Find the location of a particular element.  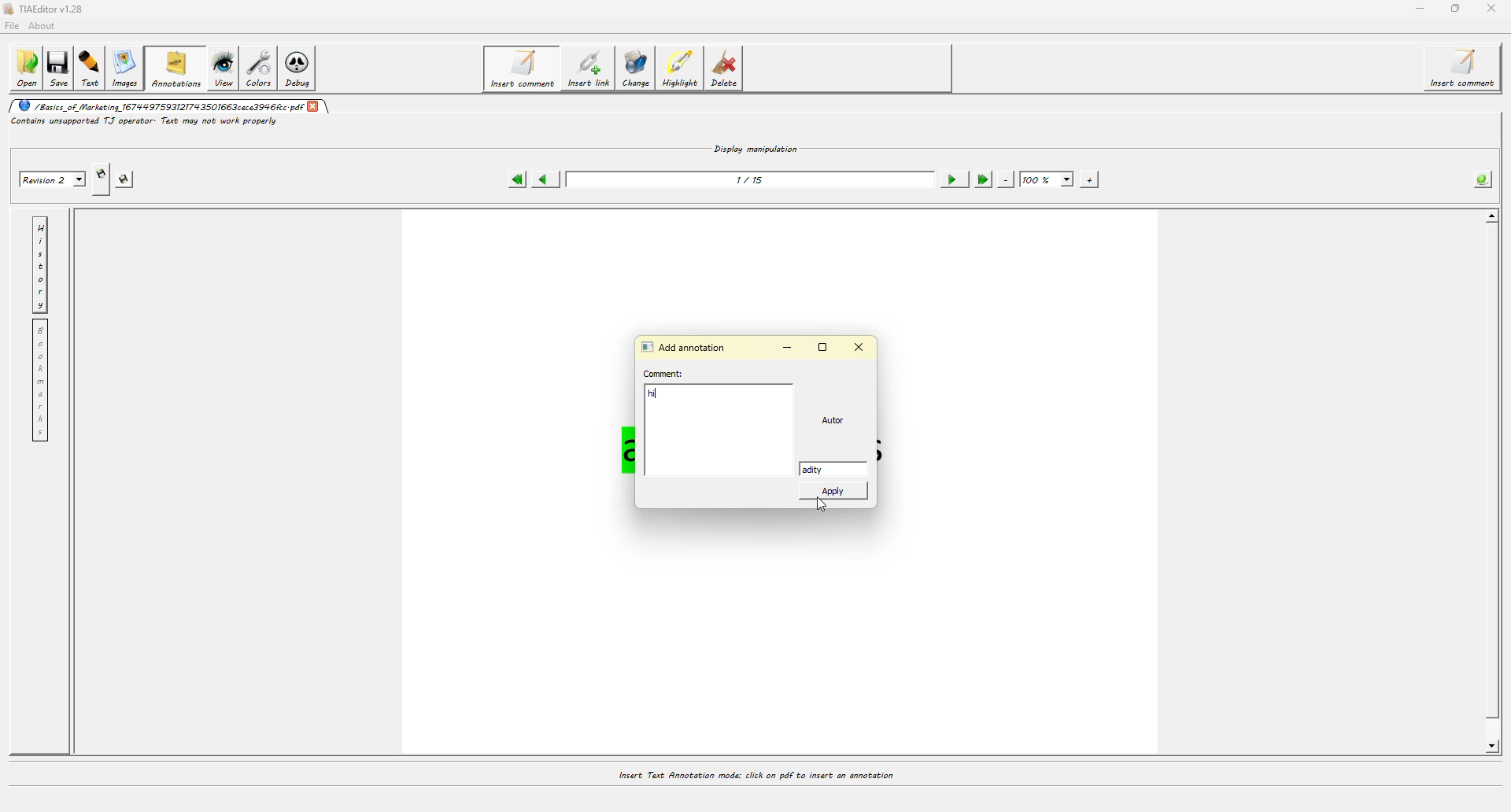

close is located at coordinates (313, 105).